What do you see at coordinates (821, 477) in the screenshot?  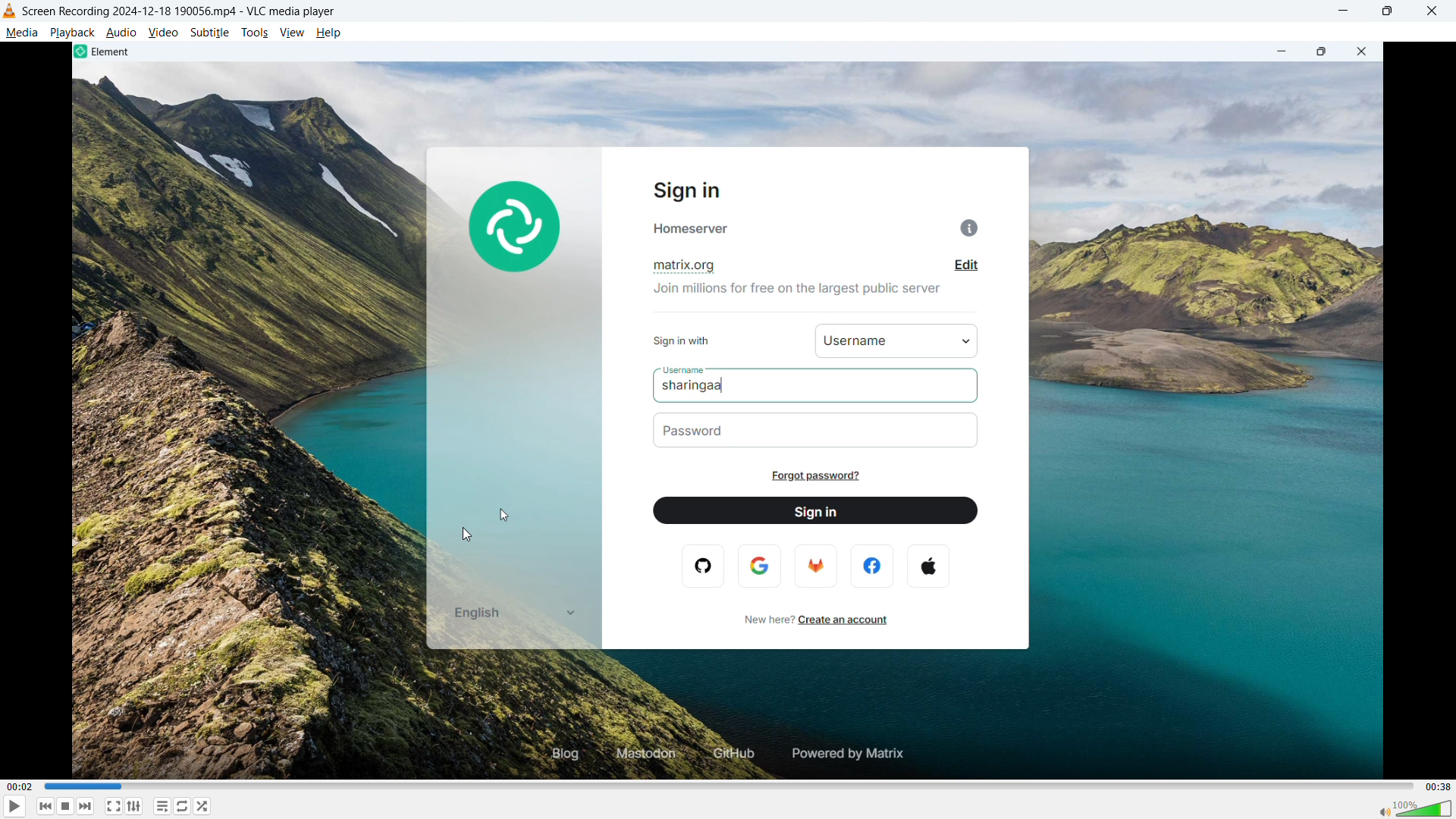 I see `Forgot password?` at bounding box center [821, 477].